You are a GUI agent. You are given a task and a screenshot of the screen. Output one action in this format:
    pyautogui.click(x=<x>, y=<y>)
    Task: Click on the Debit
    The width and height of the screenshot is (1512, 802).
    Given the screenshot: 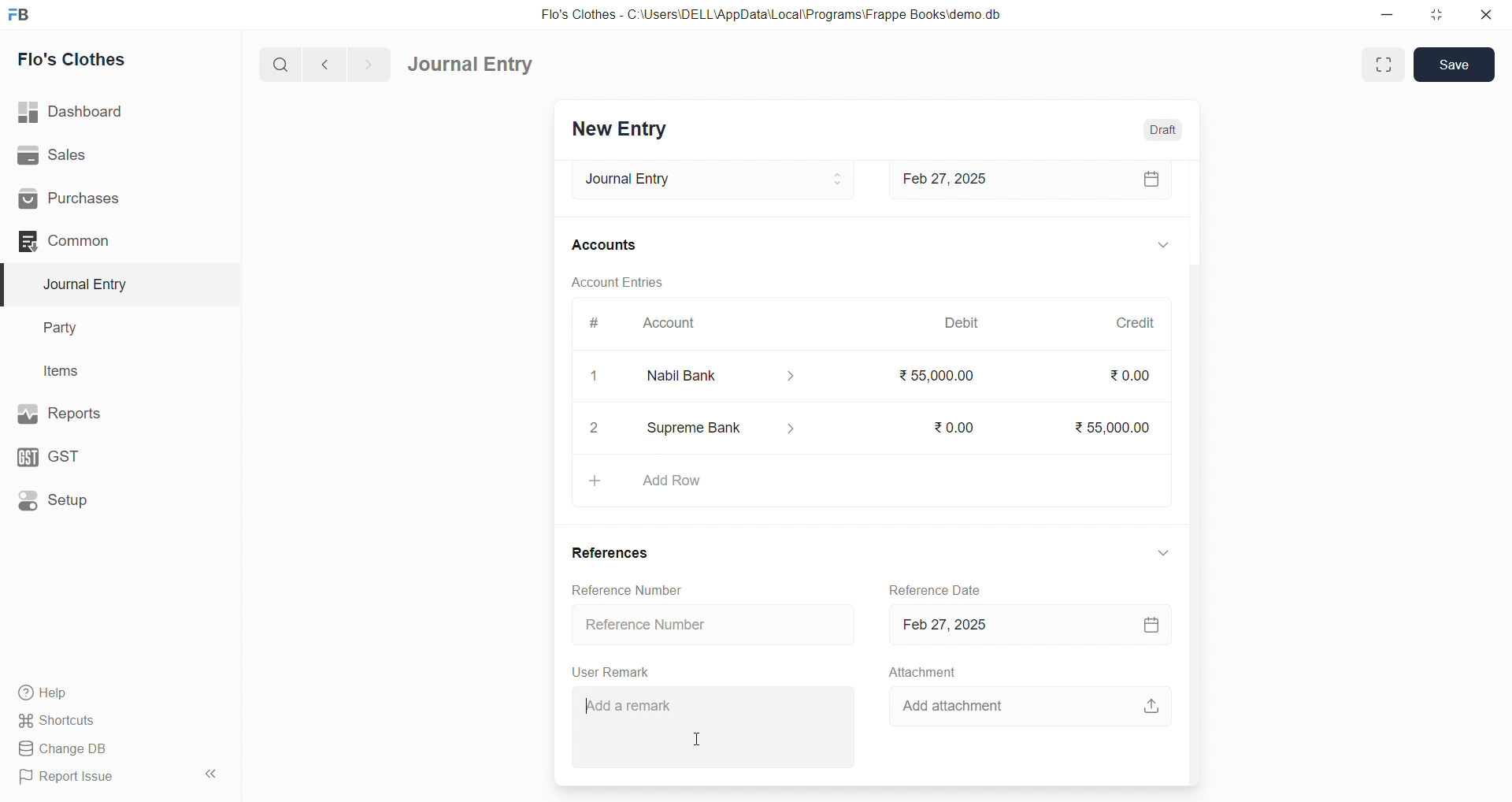 What is the action you would take?
    pyautogui.click(x=961, y=323)
    